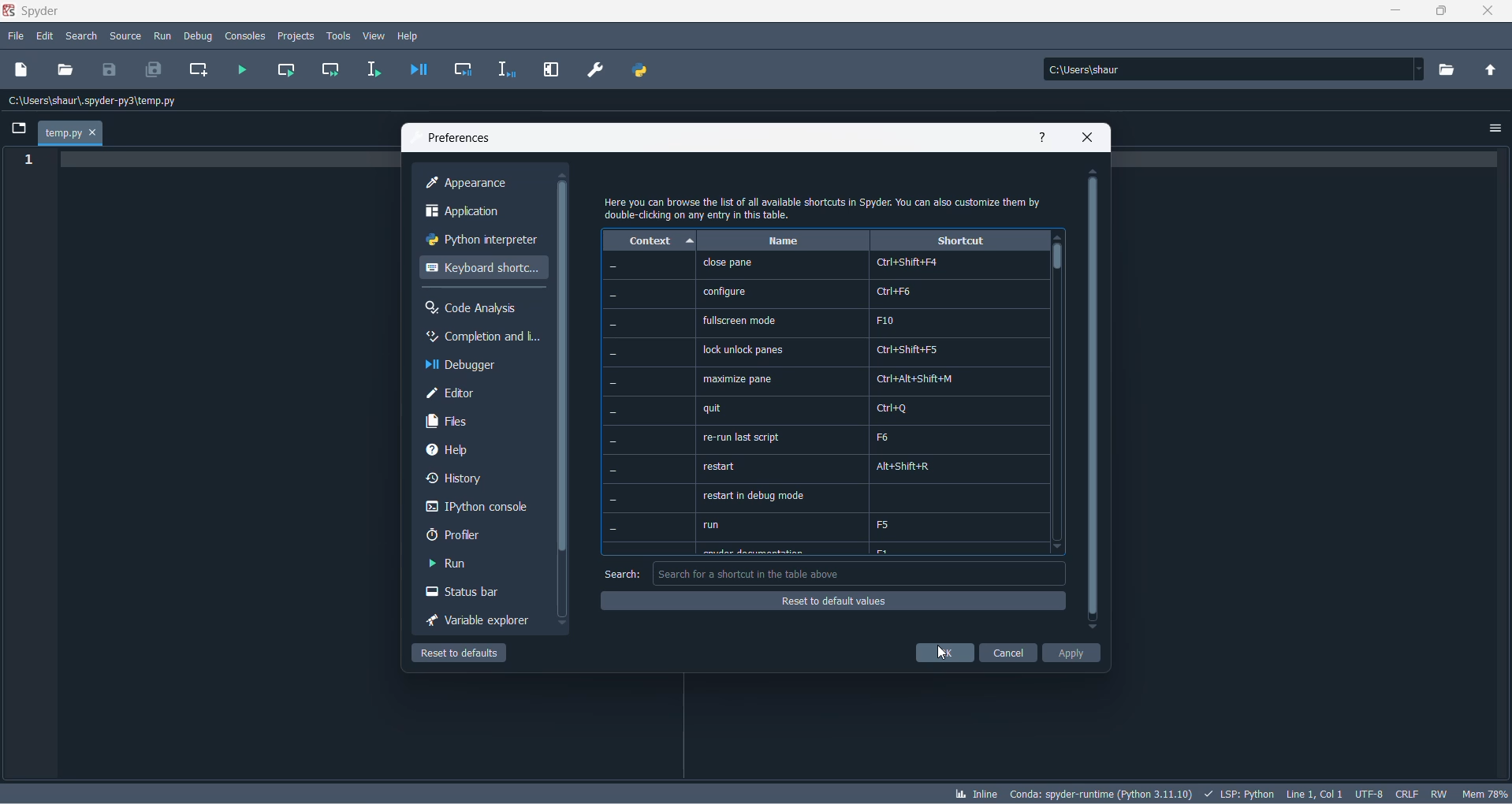 The width and height of the screenshot is (1512, 804). Describe the element at coordinates (34, 12) in the screenshot. I see `spyder application name` at that location.